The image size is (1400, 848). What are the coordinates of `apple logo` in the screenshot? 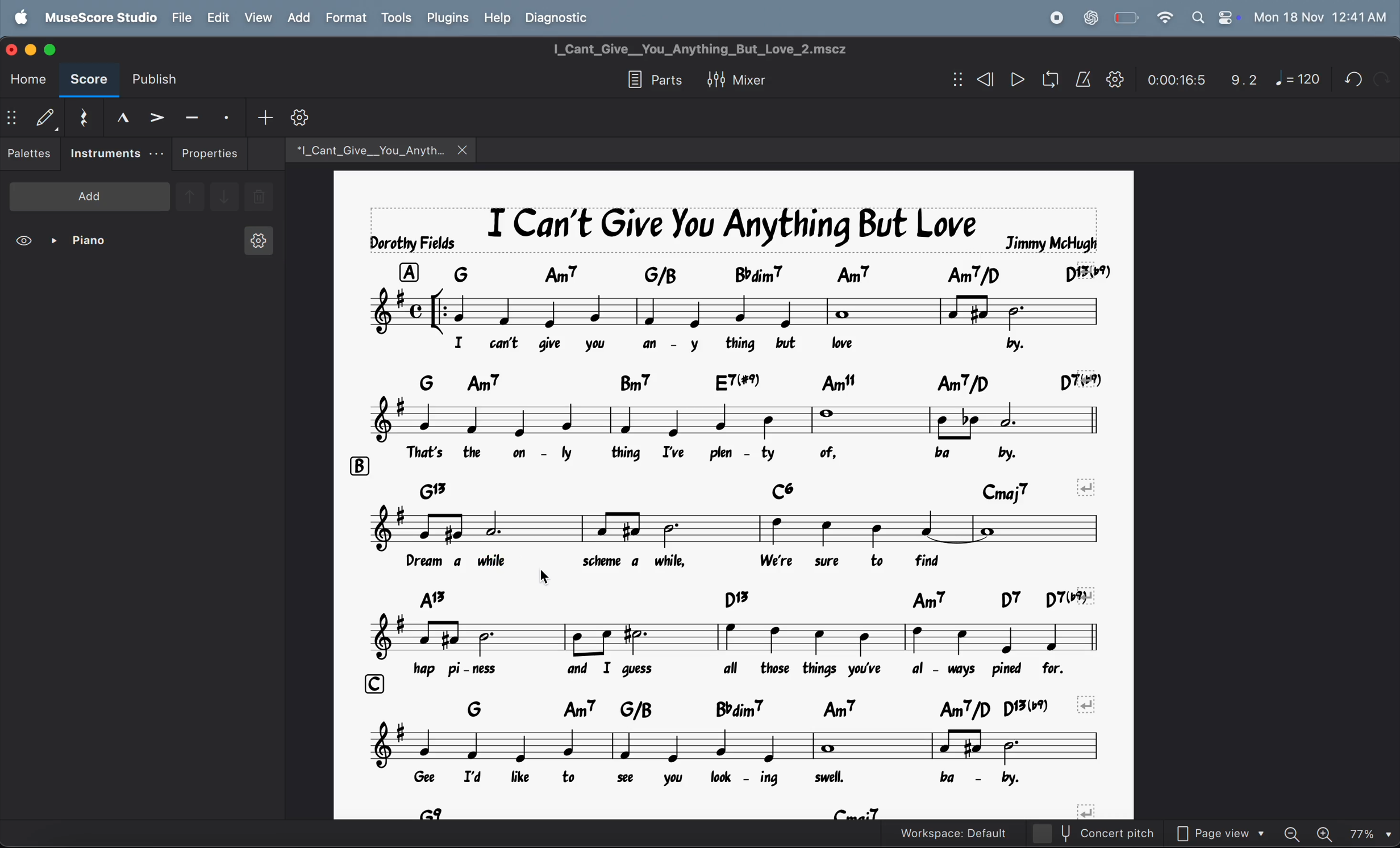 It's located at (18, 18).